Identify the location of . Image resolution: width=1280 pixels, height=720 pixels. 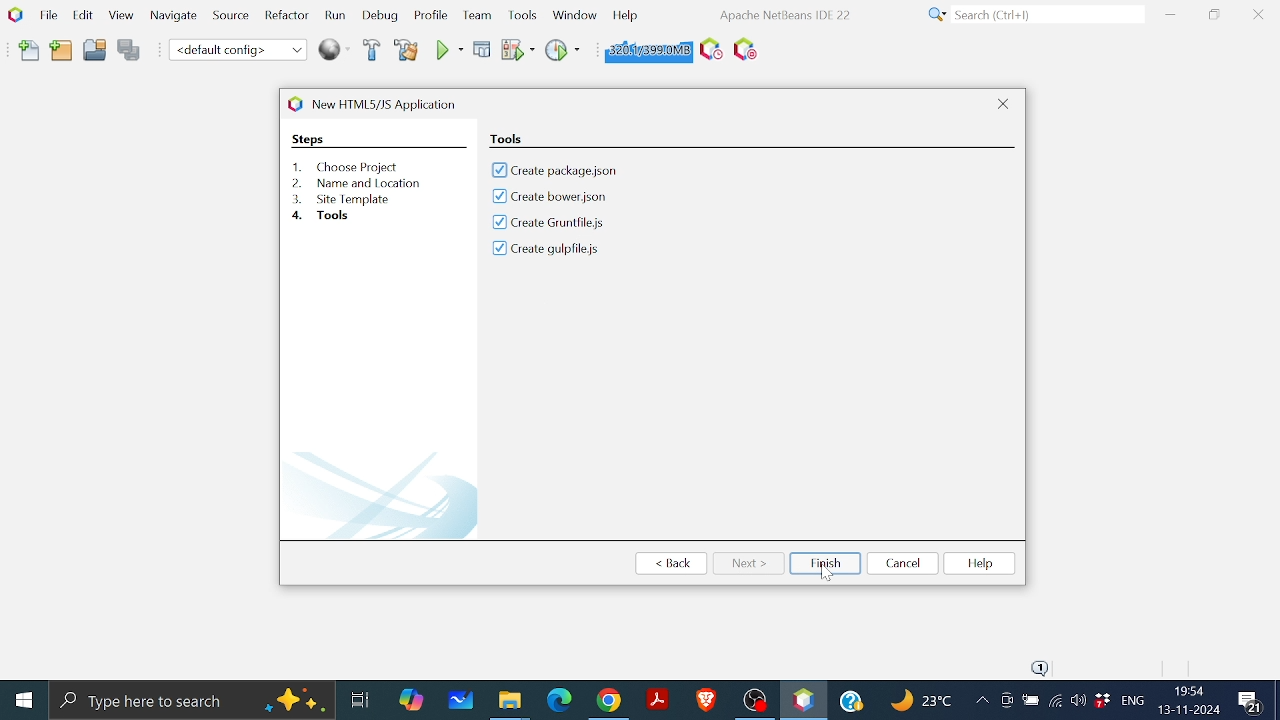
(574, 13).